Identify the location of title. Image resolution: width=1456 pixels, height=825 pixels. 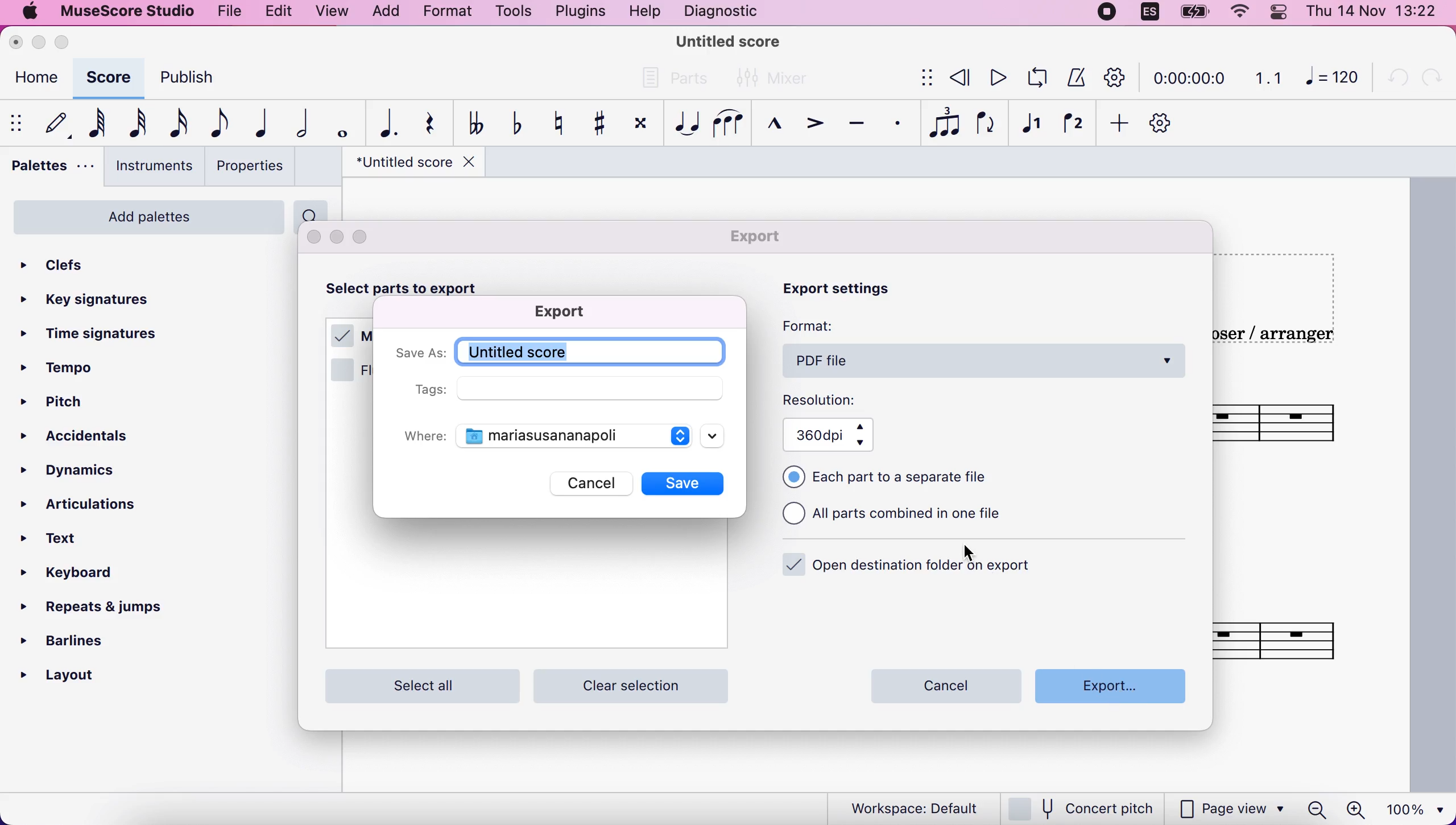
(593, 349).